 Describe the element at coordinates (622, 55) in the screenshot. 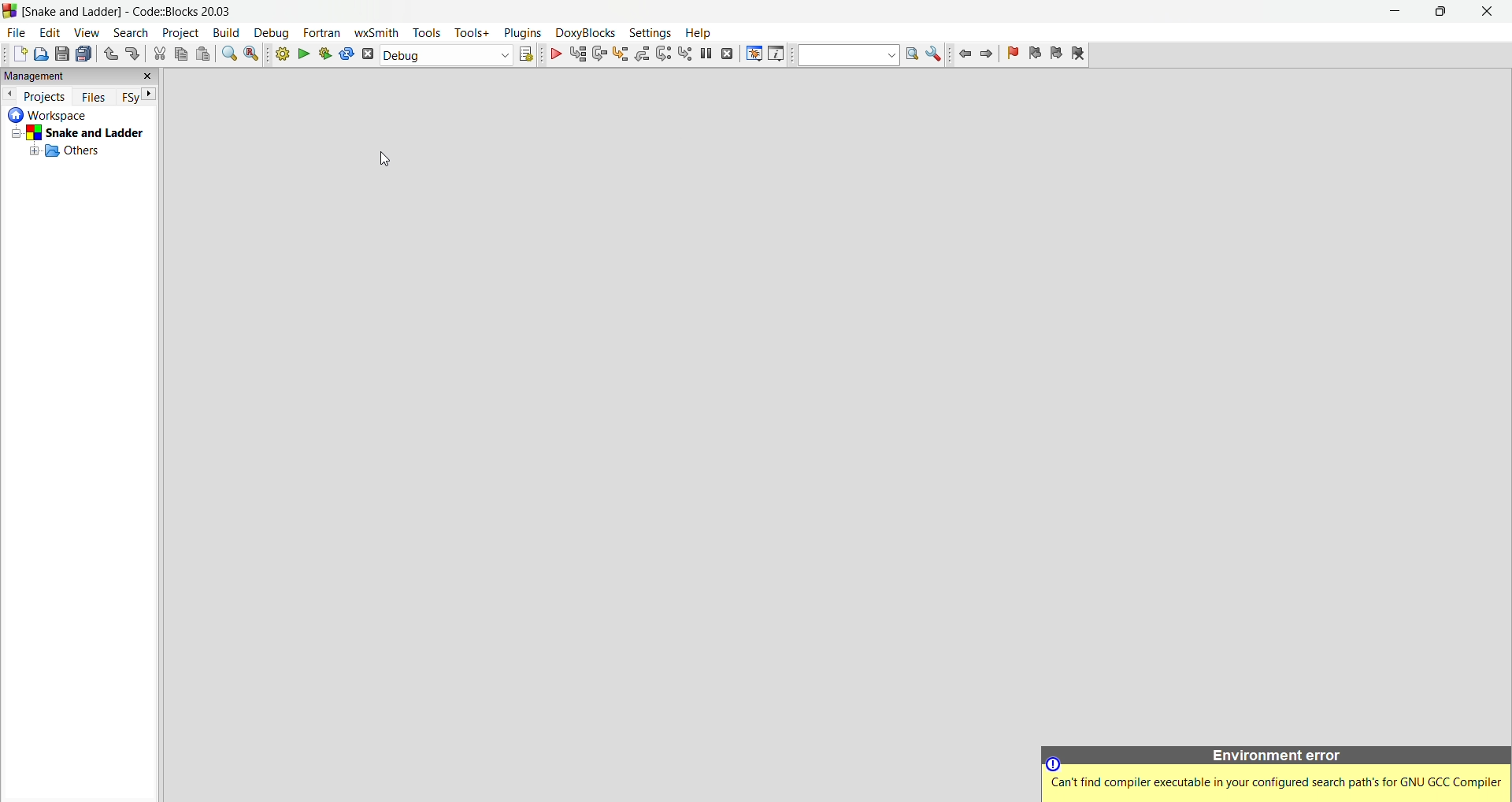

I see `step into` at that location.